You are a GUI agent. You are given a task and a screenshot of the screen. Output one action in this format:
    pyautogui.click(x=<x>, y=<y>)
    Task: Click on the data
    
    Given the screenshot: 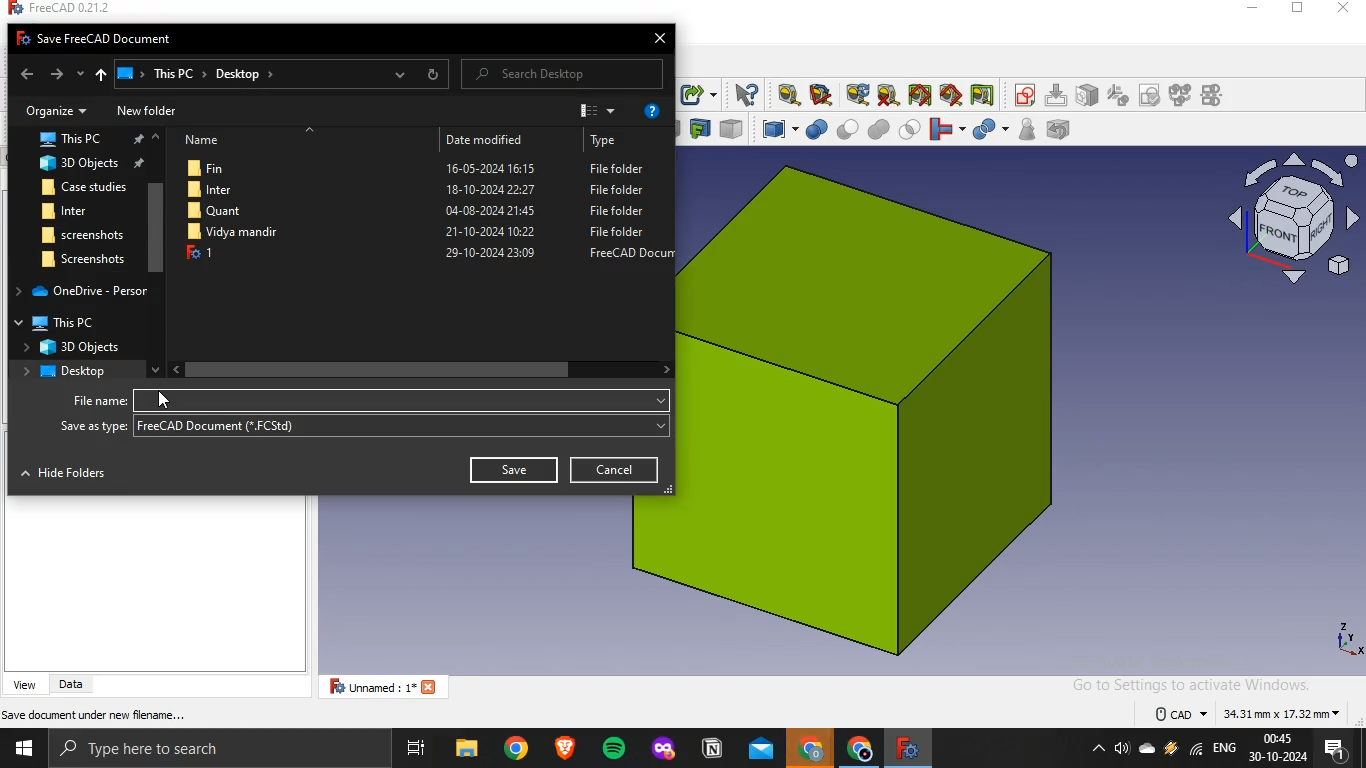 What is the action you would take?
    pyautogui.click(x=76, y=684)
    